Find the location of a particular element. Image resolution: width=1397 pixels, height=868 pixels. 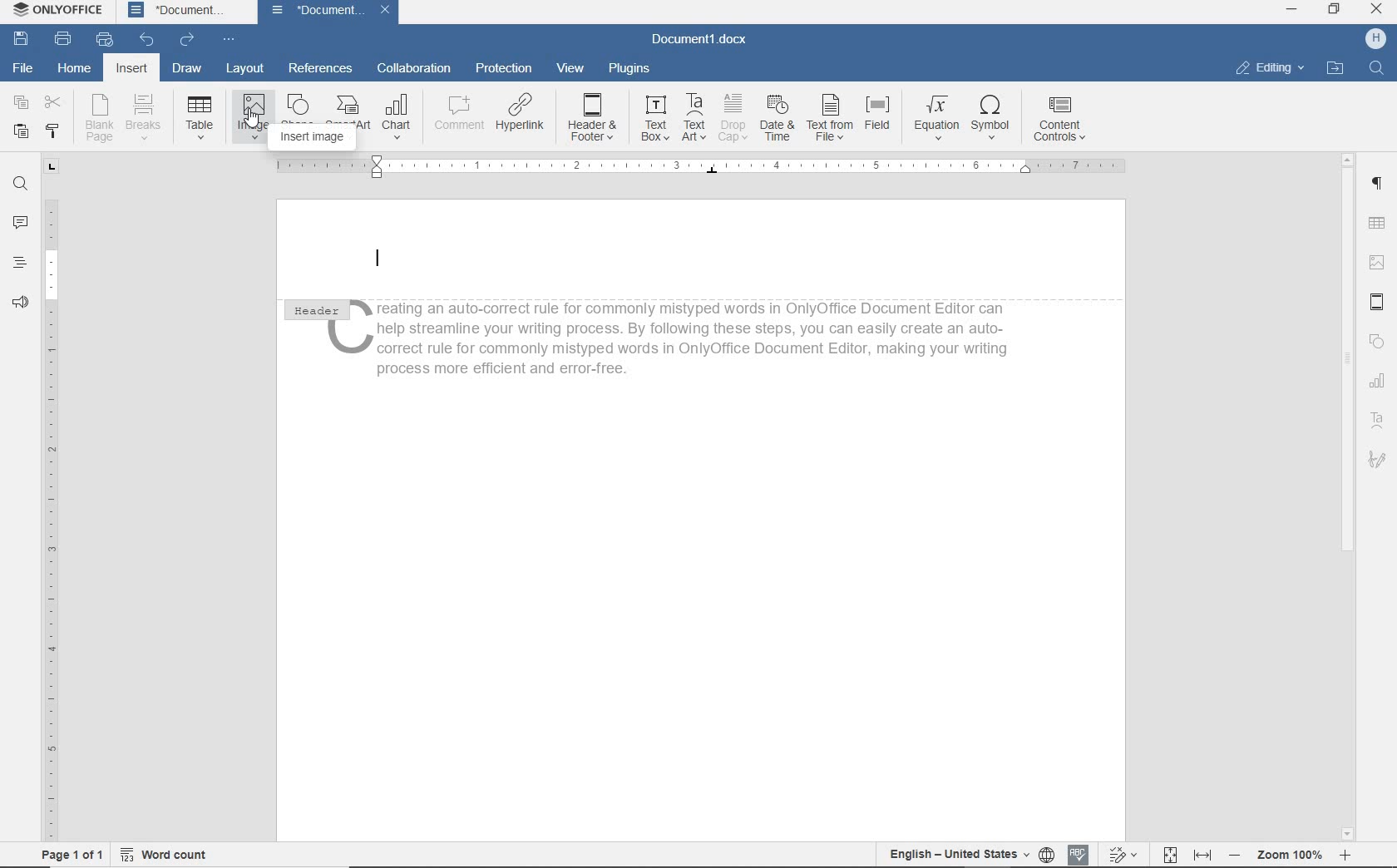

COMMENT is located at coordinates (458, 118).